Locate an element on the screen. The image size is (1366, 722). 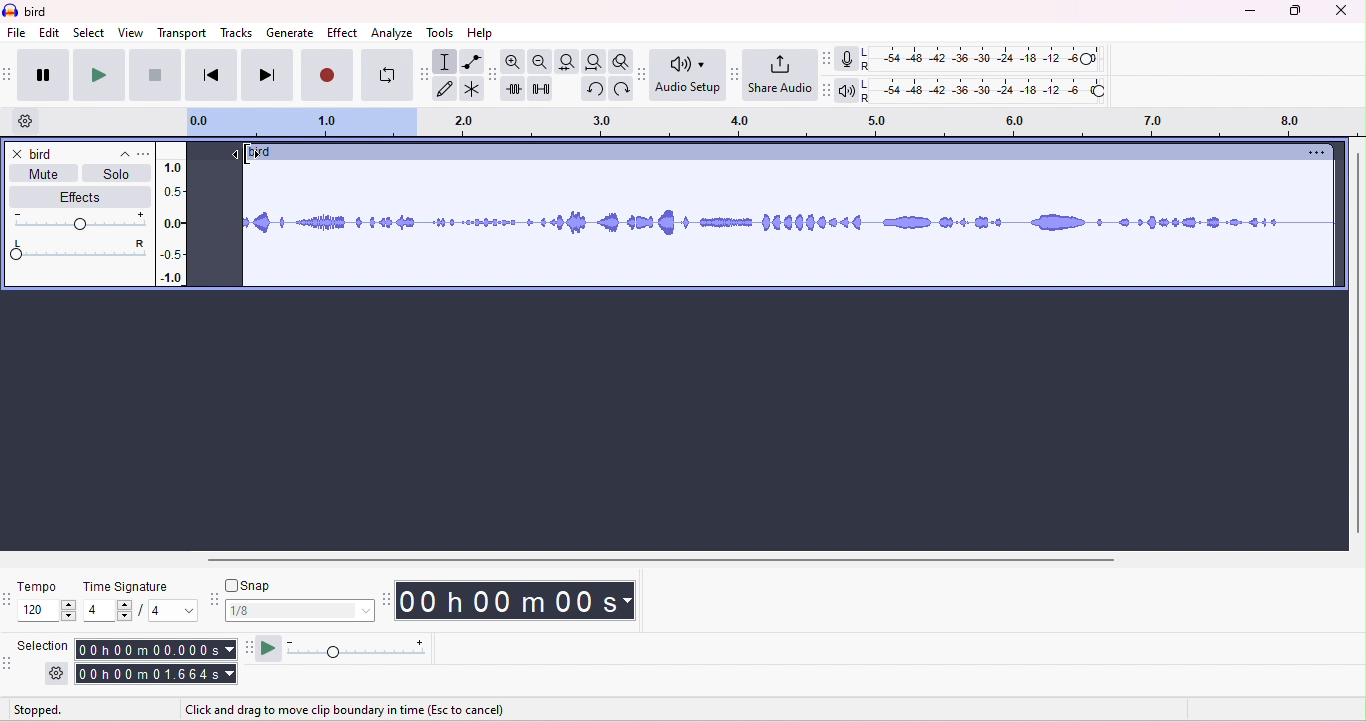
envelop is located at coordinates (470, 60).